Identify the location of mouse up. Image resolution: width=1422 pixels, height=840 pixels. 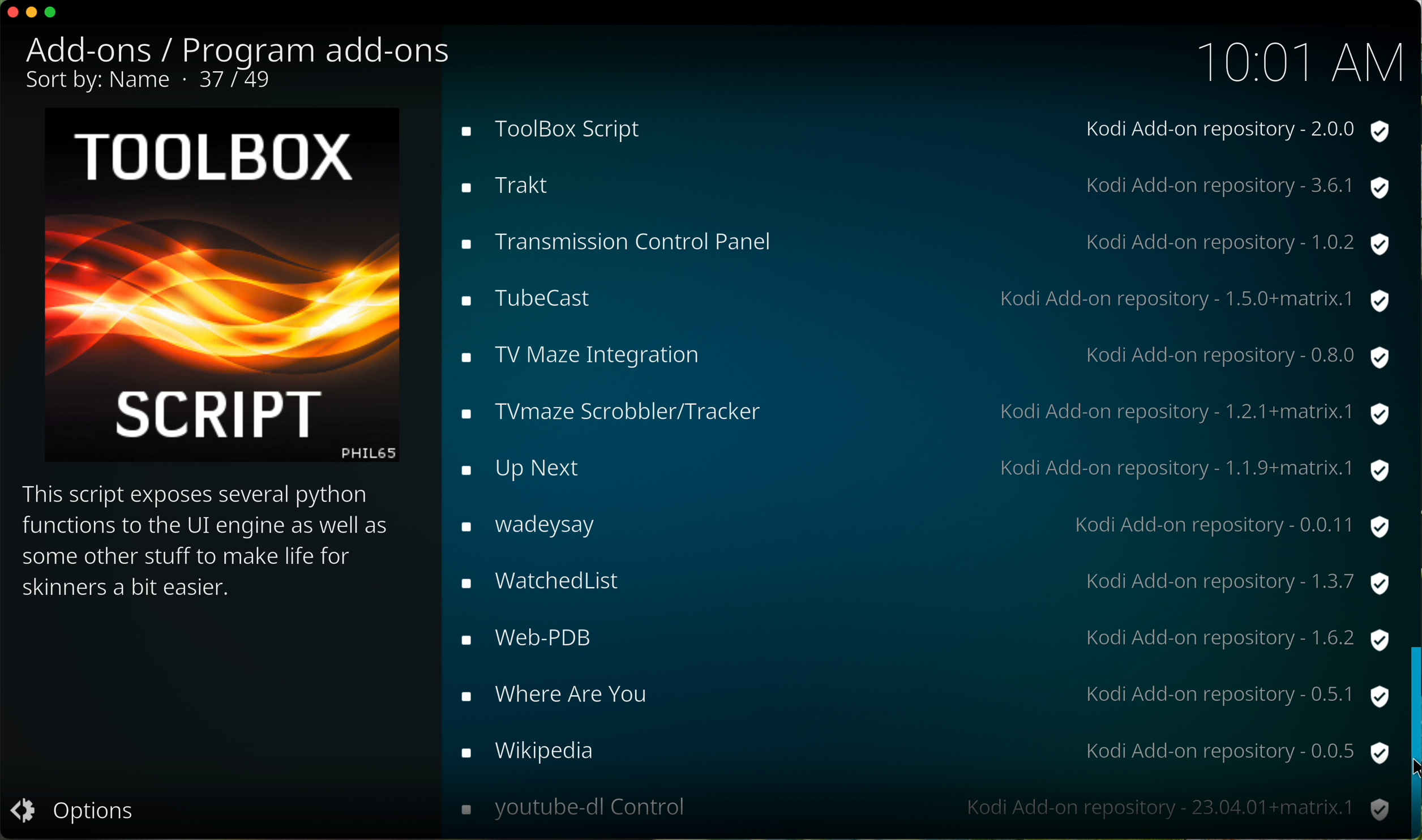
(1412, 738).